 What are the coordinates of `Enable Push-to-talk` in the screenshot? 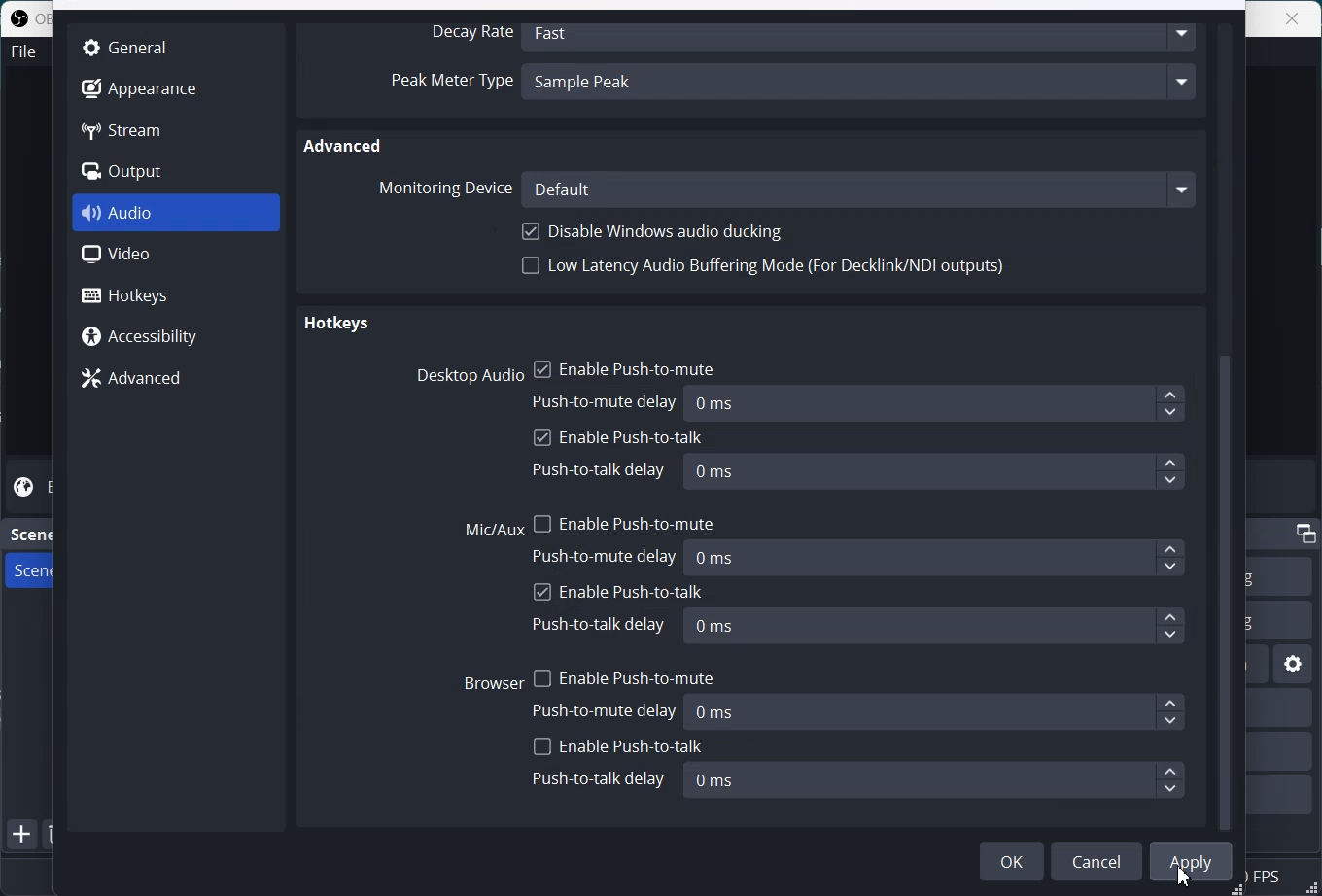 It's located at (618, 746).